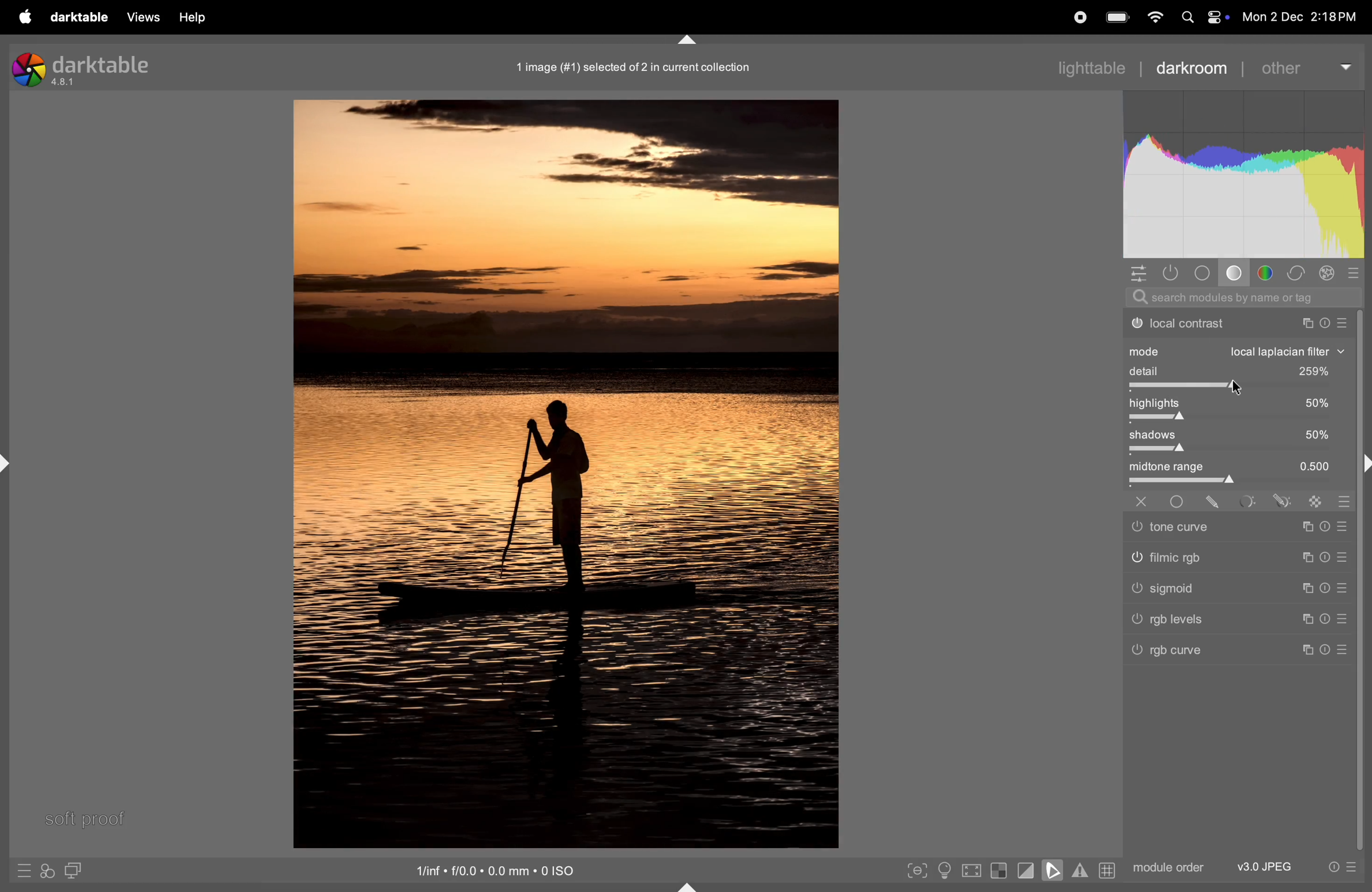  What do you see at coordinates (1342, 868) in the screenshot?
I see `presets` at bounding box center [1342, 868].